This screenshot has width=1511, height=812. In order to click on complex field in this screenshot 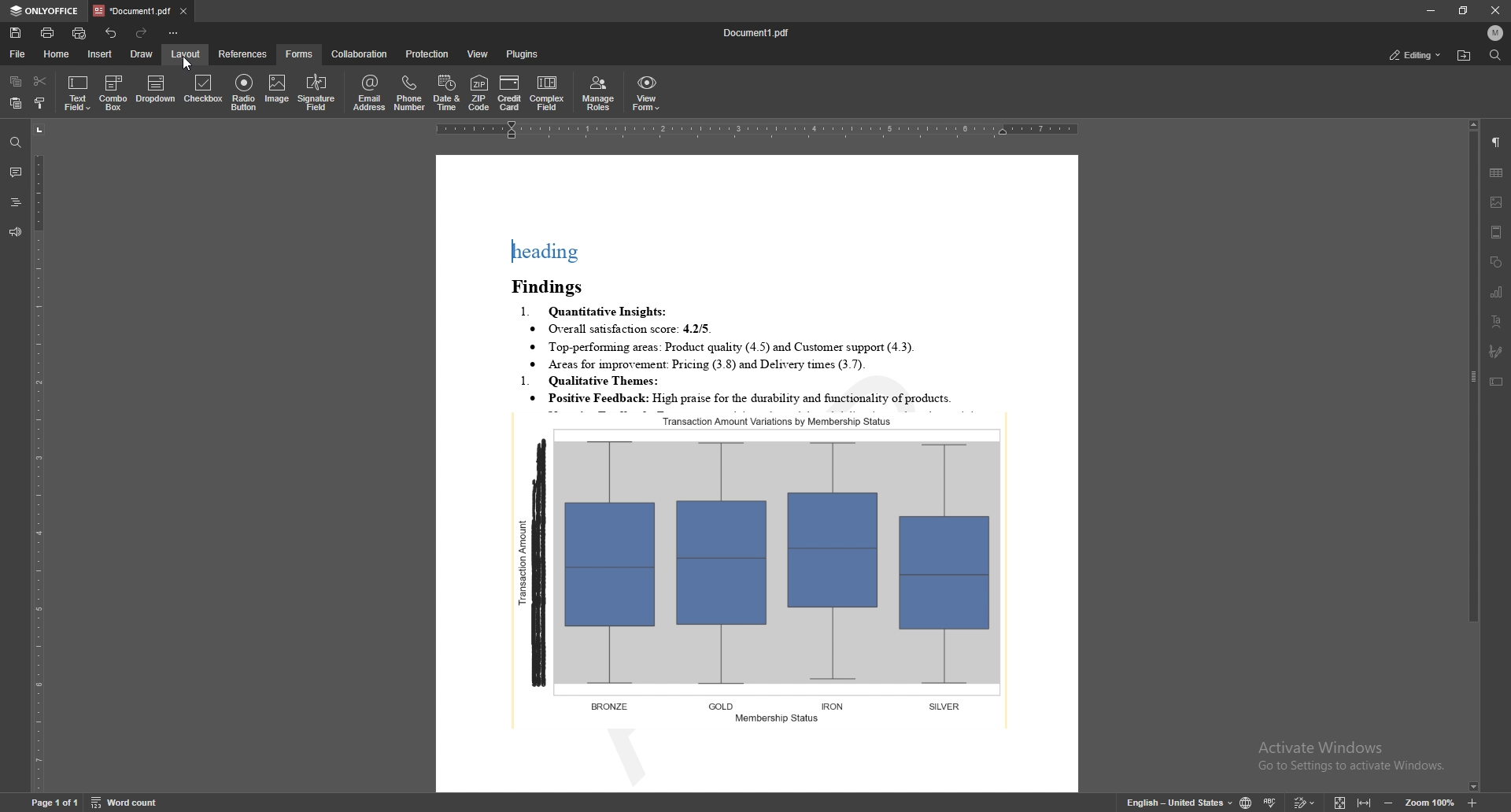, I will do `click(548, 93)`.